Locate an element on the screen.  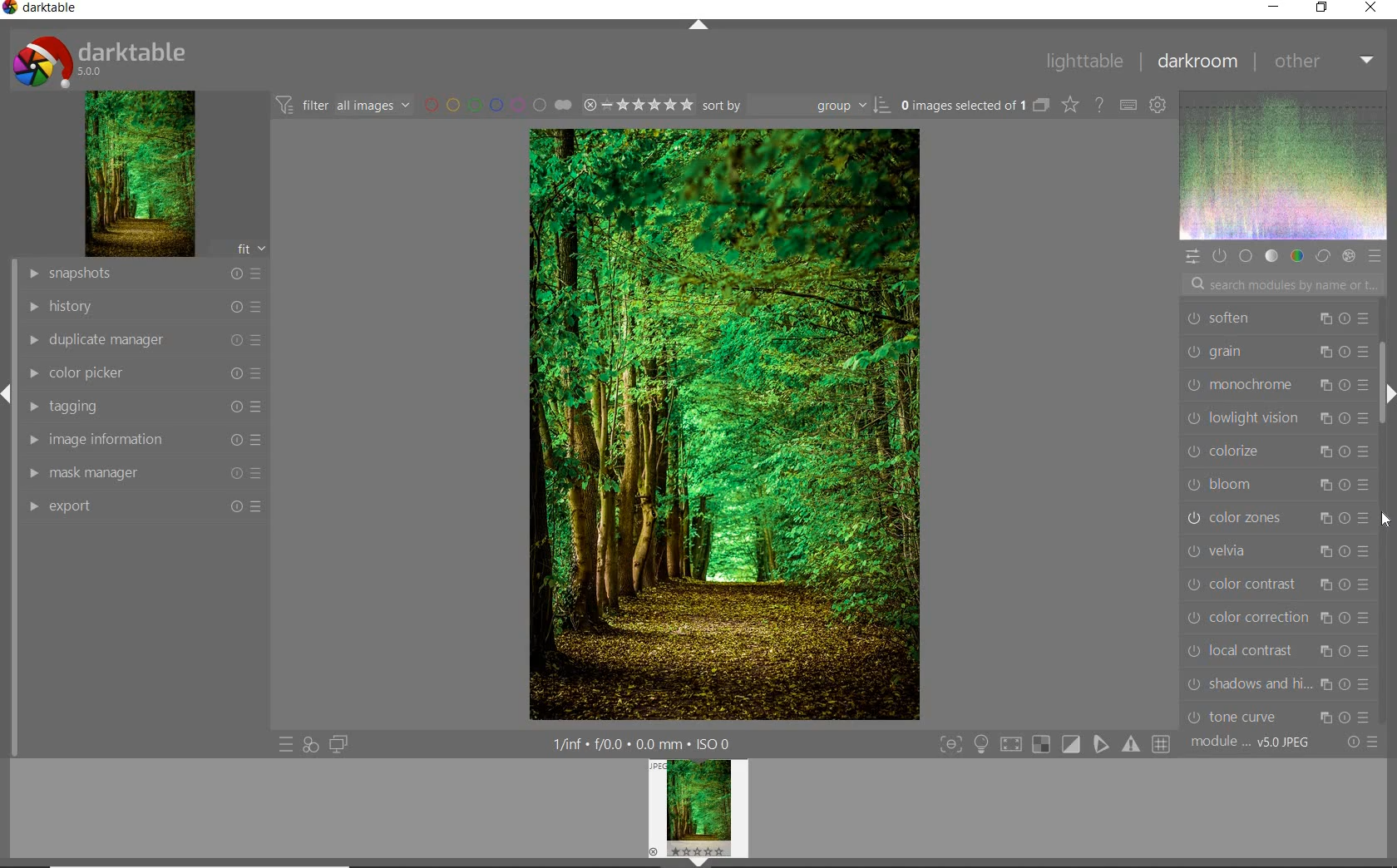
MINIMIZE is located at coordinates (1275, 7).